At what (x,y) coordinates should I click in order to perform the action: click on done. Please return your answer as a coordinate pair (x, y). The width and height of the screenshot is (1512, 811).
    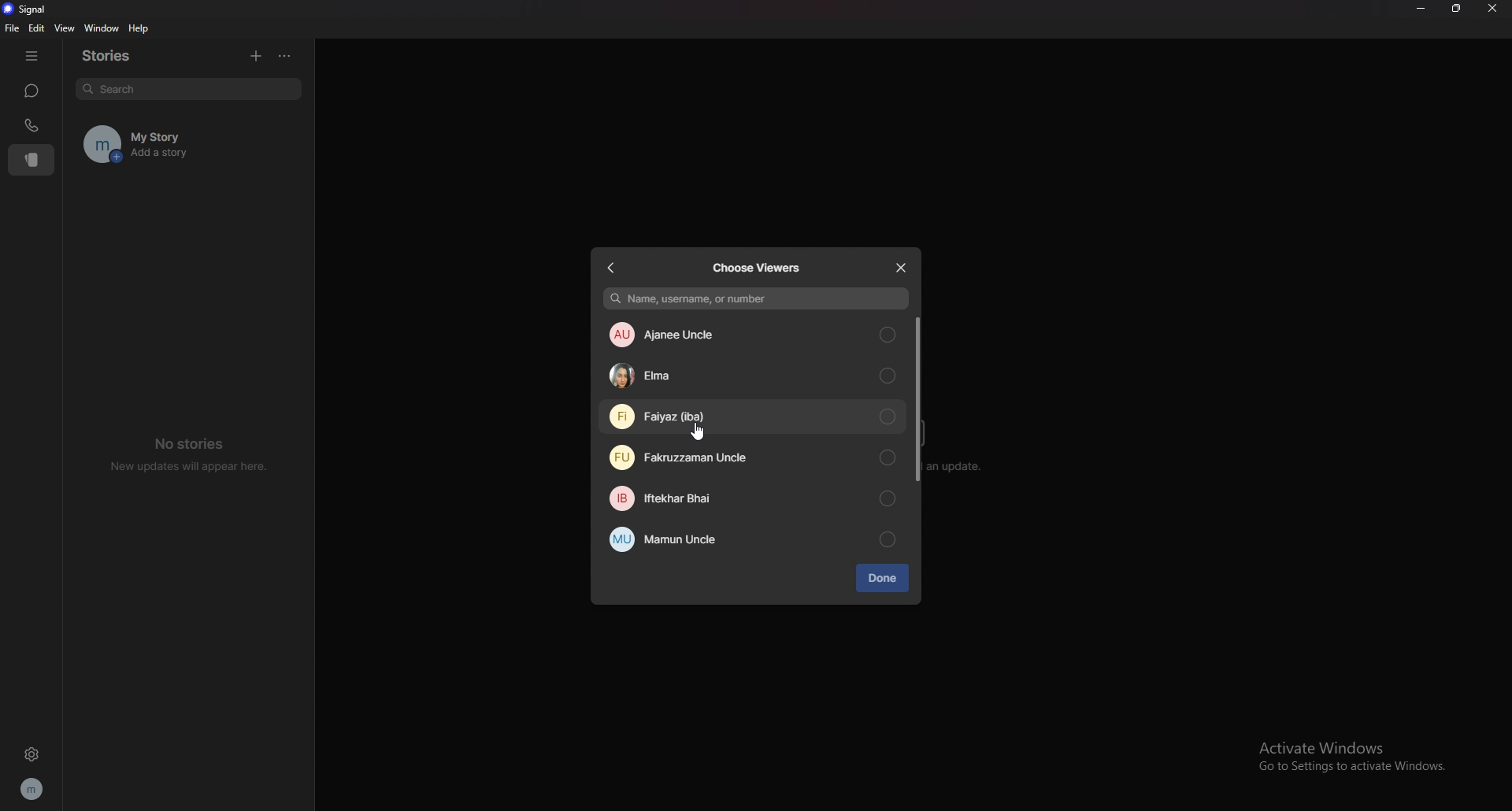
    Looking at the image, I should click on (883, 578).